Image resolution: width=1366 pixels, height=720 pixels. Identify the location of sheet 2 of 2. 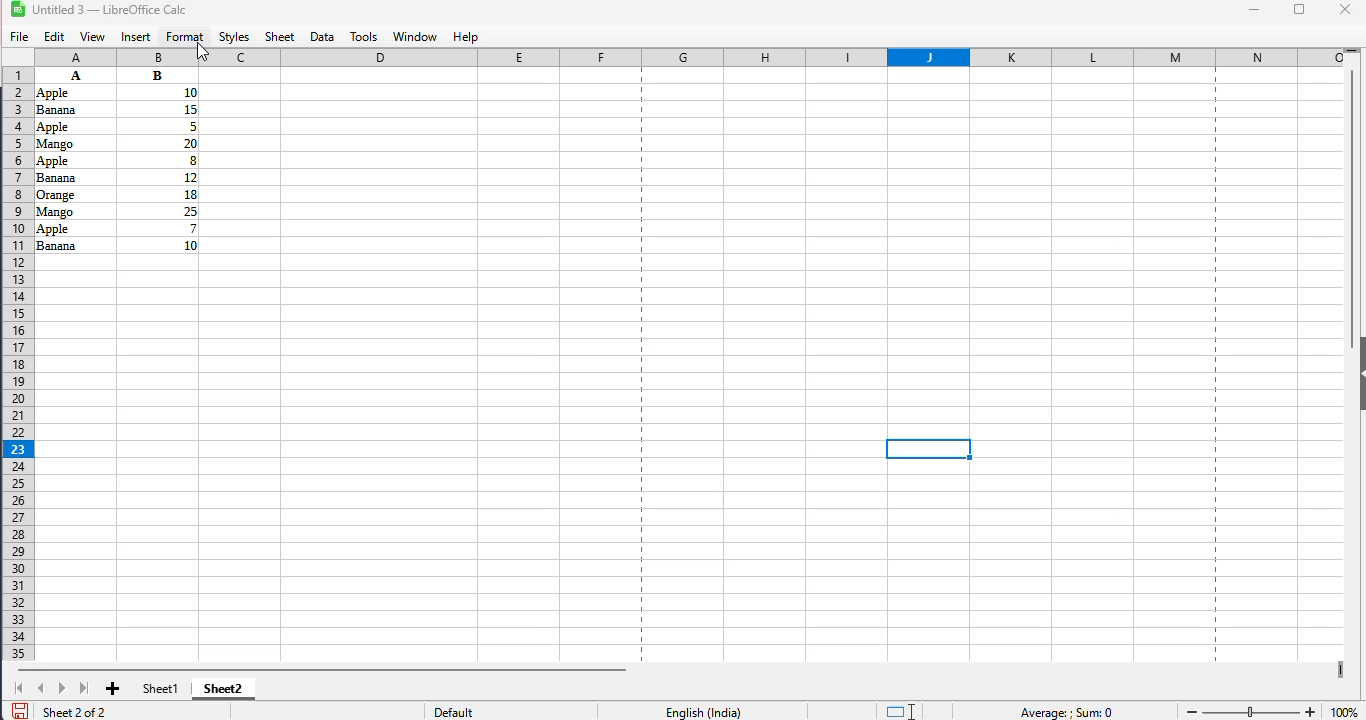
(73, 711).